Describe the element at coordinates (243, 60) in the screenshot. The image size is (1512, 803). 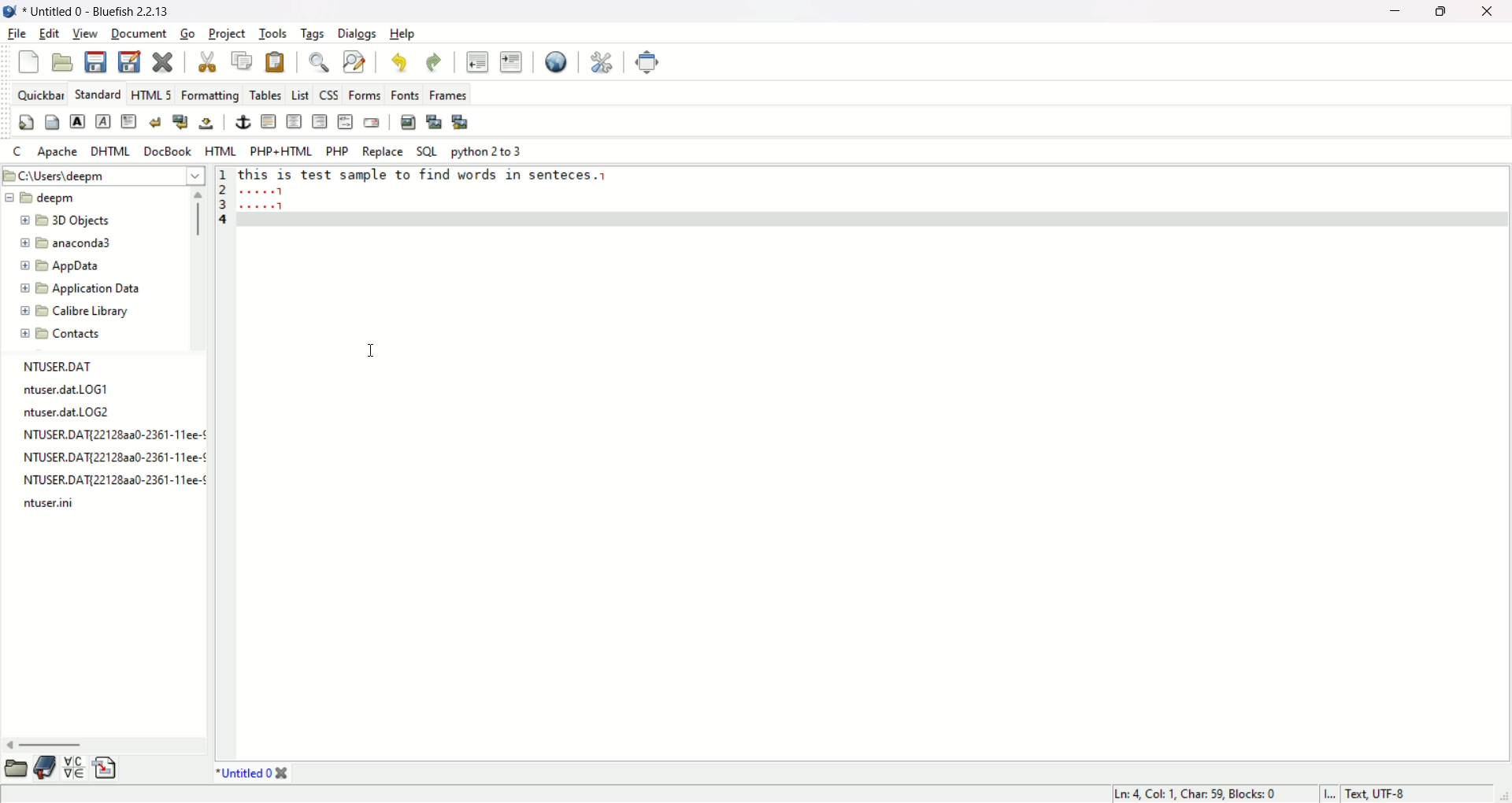
I see `copy` at that location.